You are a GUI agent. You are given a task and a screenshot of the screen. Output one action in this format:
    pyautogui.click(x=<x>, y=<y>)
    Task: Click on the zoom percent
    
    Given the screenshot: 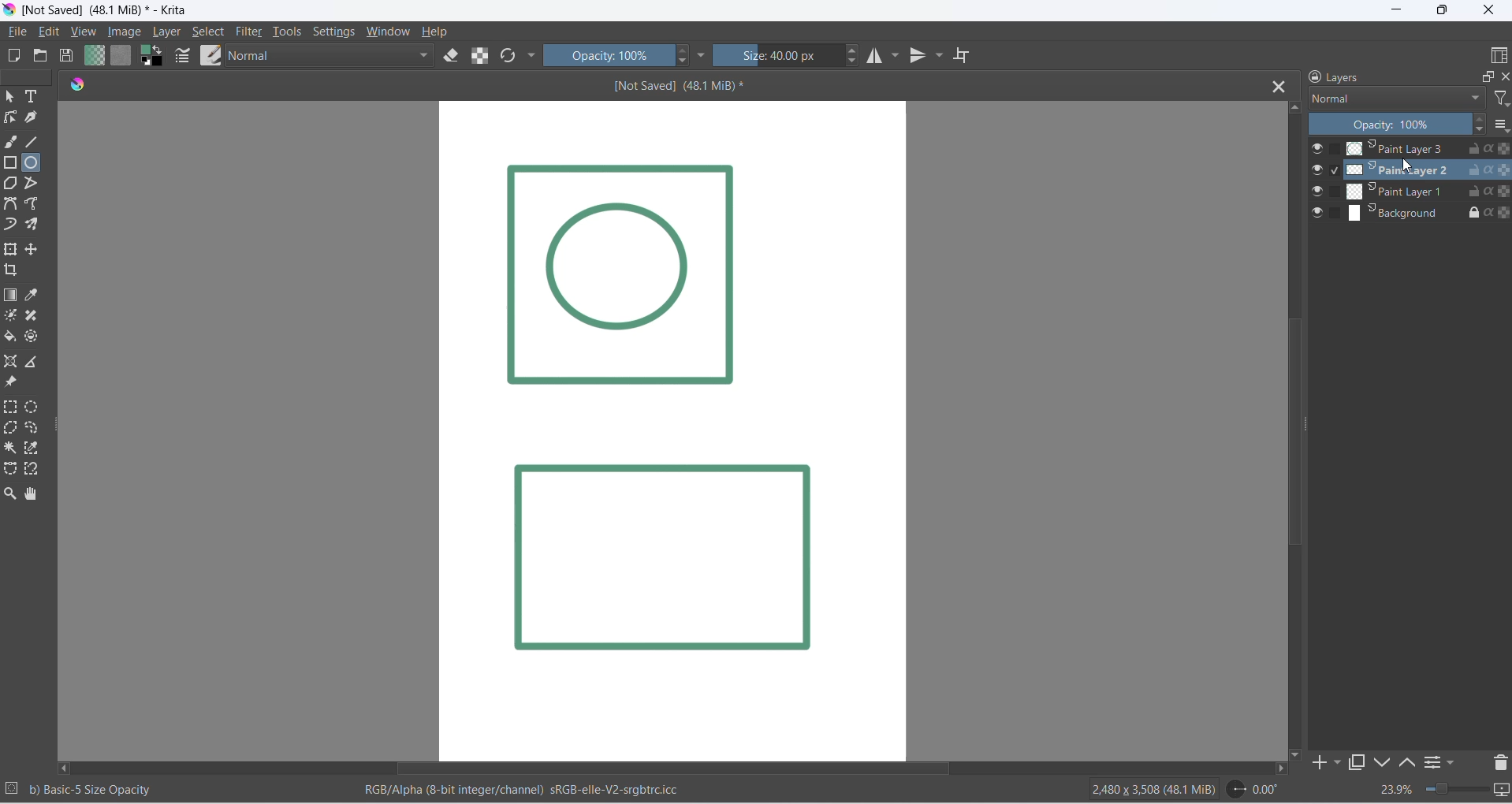 What is the action you would take?
    pyautogui.click(x=1396, y=791)
    